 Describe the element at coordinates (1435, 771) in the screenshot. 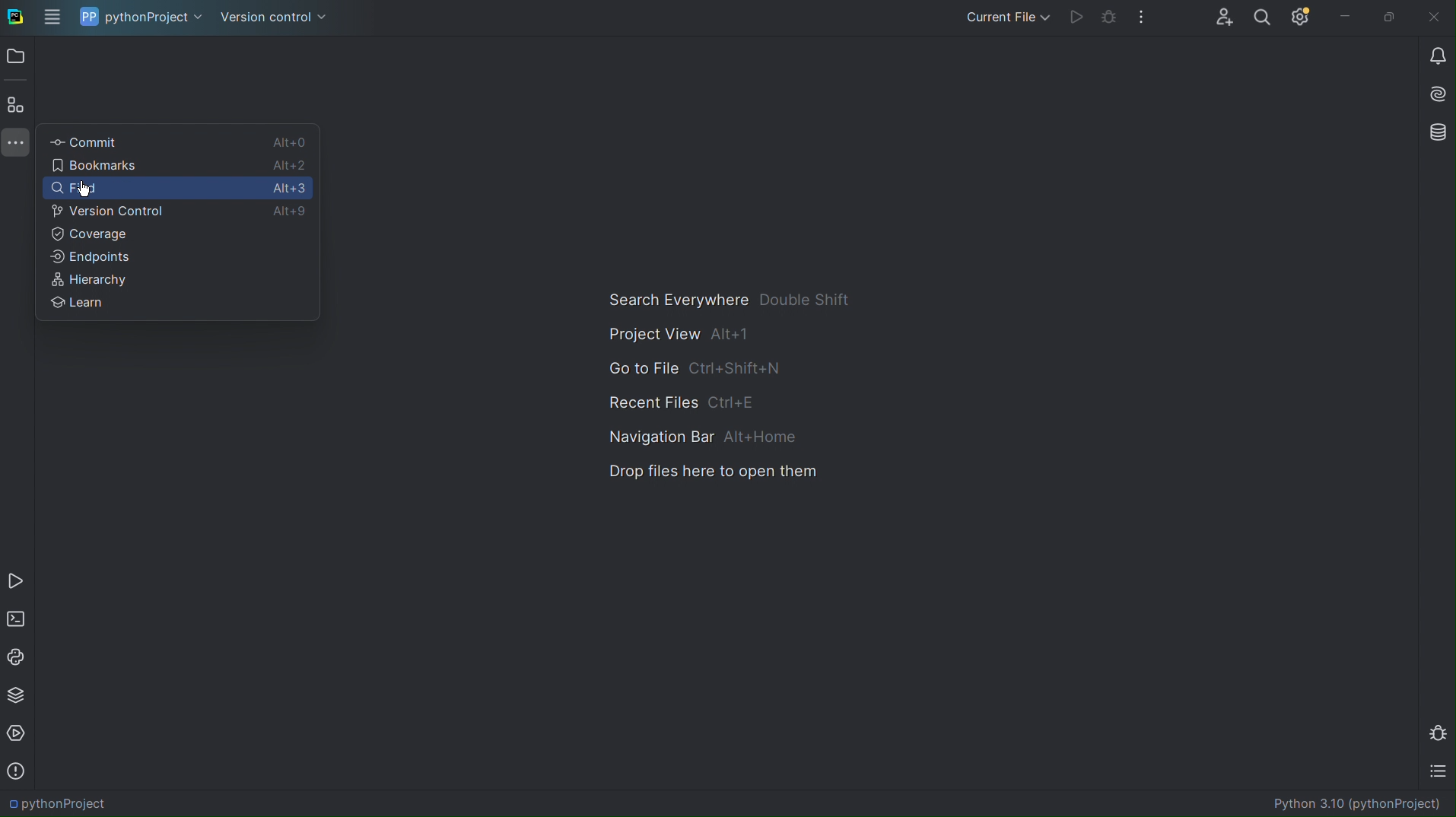

I see `TODO` at that location.